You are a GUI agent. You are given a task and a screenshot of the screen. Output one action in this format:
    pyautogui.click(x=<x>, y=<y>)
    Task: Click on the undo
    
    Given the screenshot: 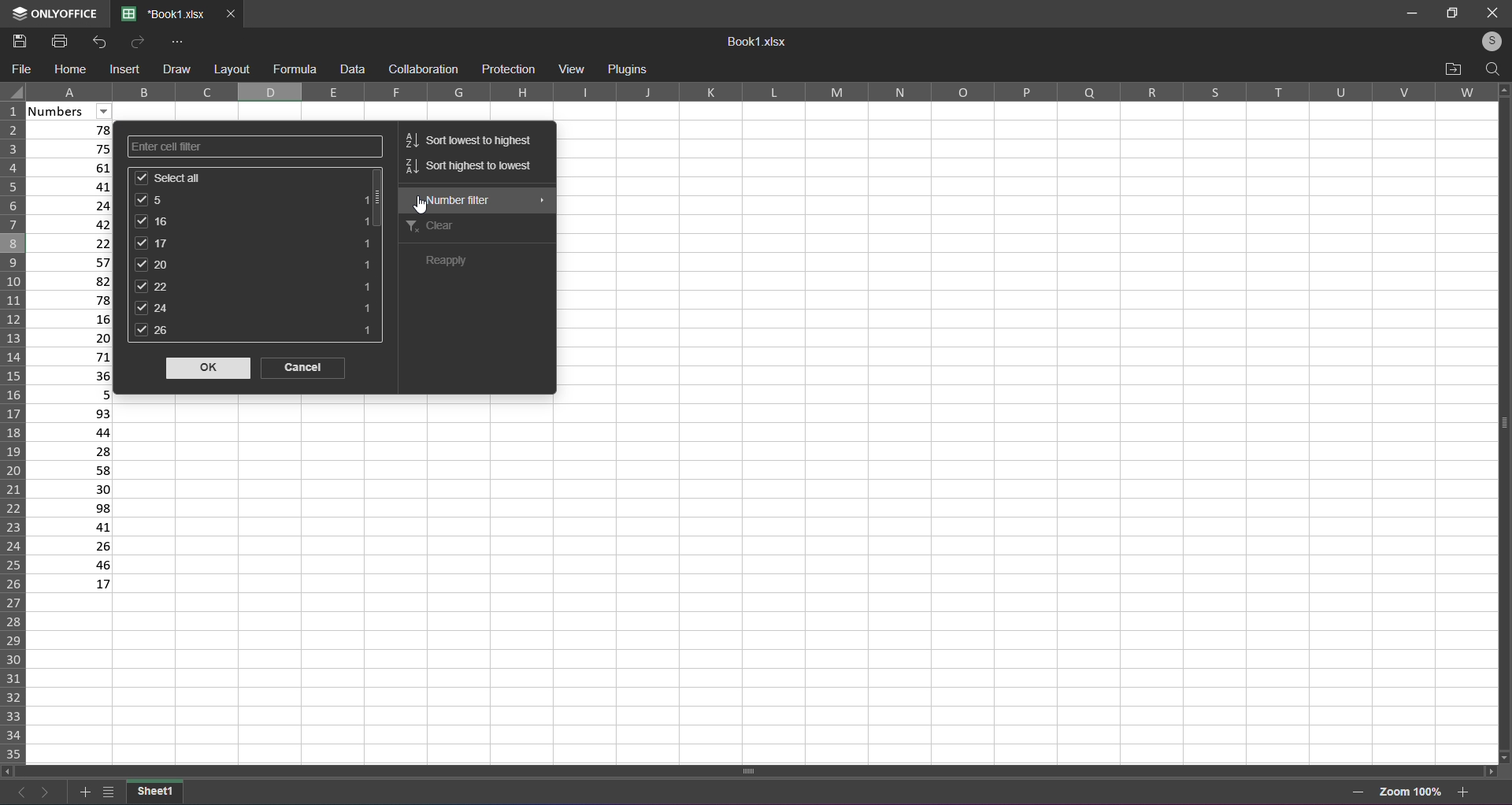 What is the action you would take?
    pyautogui.click(x=102, y=42)
    